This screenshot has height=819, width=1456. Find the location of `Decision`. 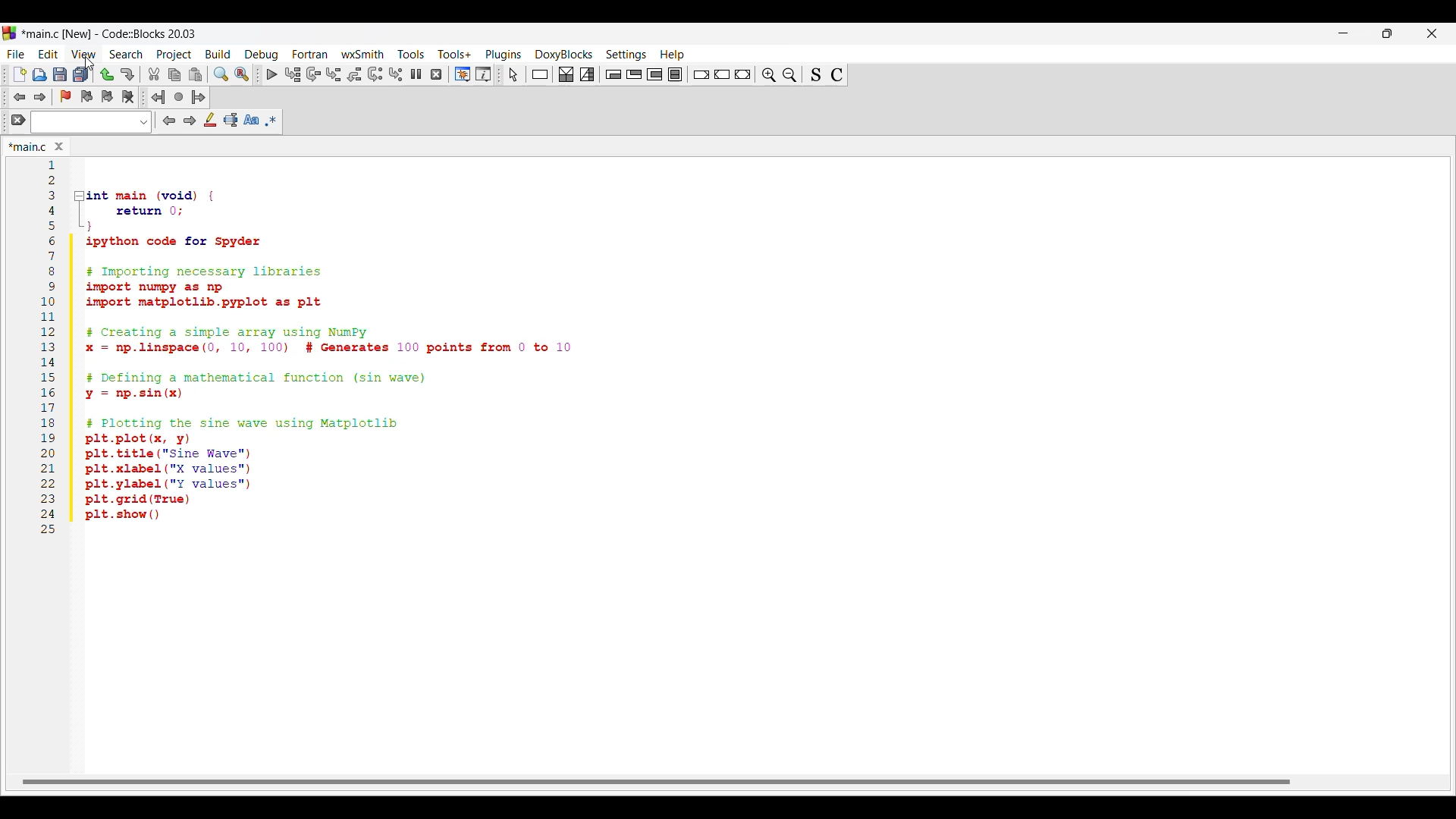

Decision is located at coordinates (566, 74).